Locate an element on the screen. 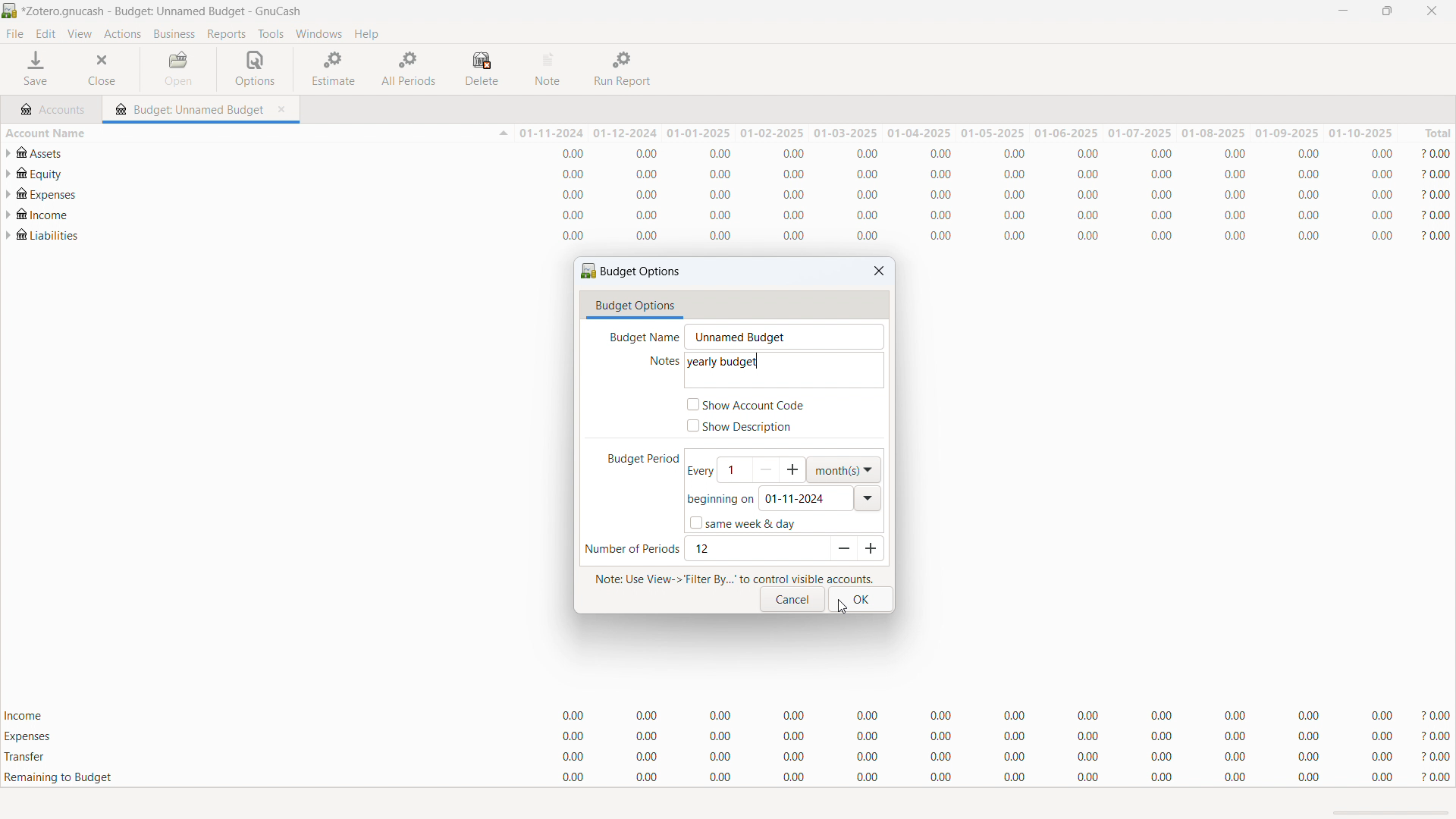 This screenshot has width=1456, height=819. windows is located at coordinates (319, 34).